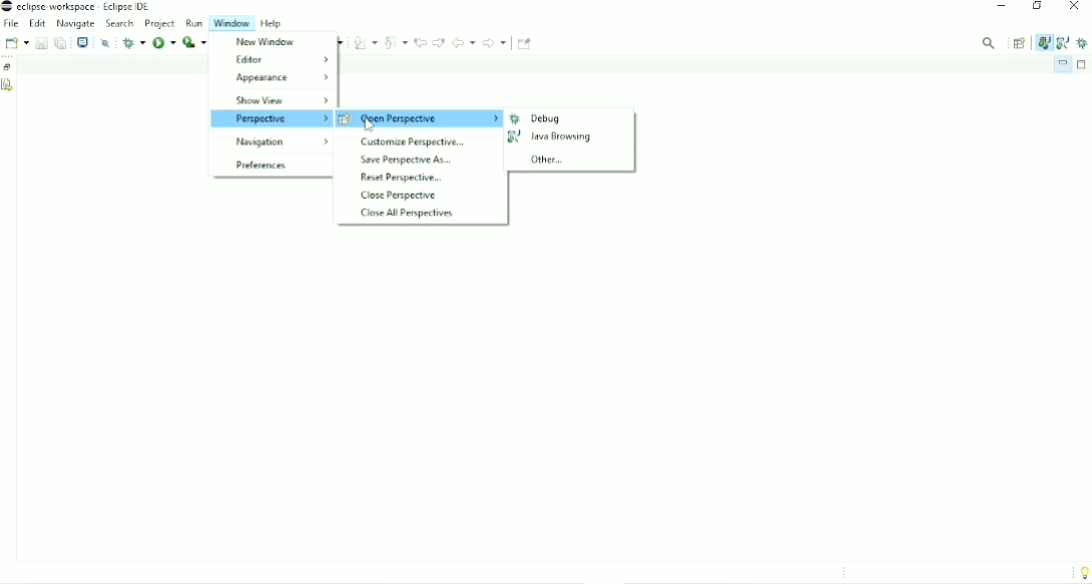 This screenshot has height=584, width=1092. I want to click on Run, so click(195, 23).